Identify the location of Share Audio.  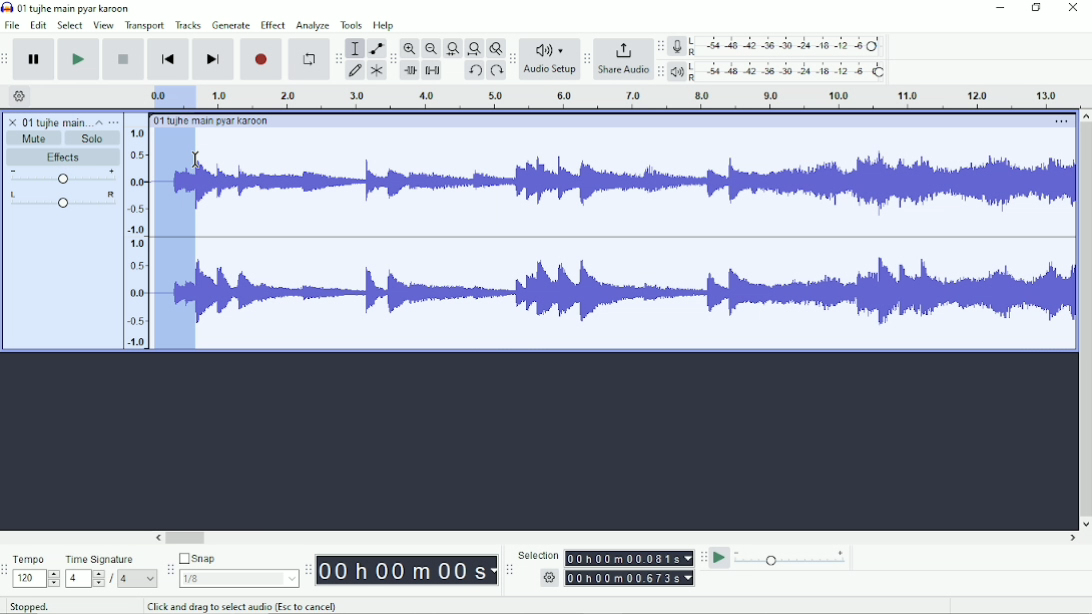
(622, 71).